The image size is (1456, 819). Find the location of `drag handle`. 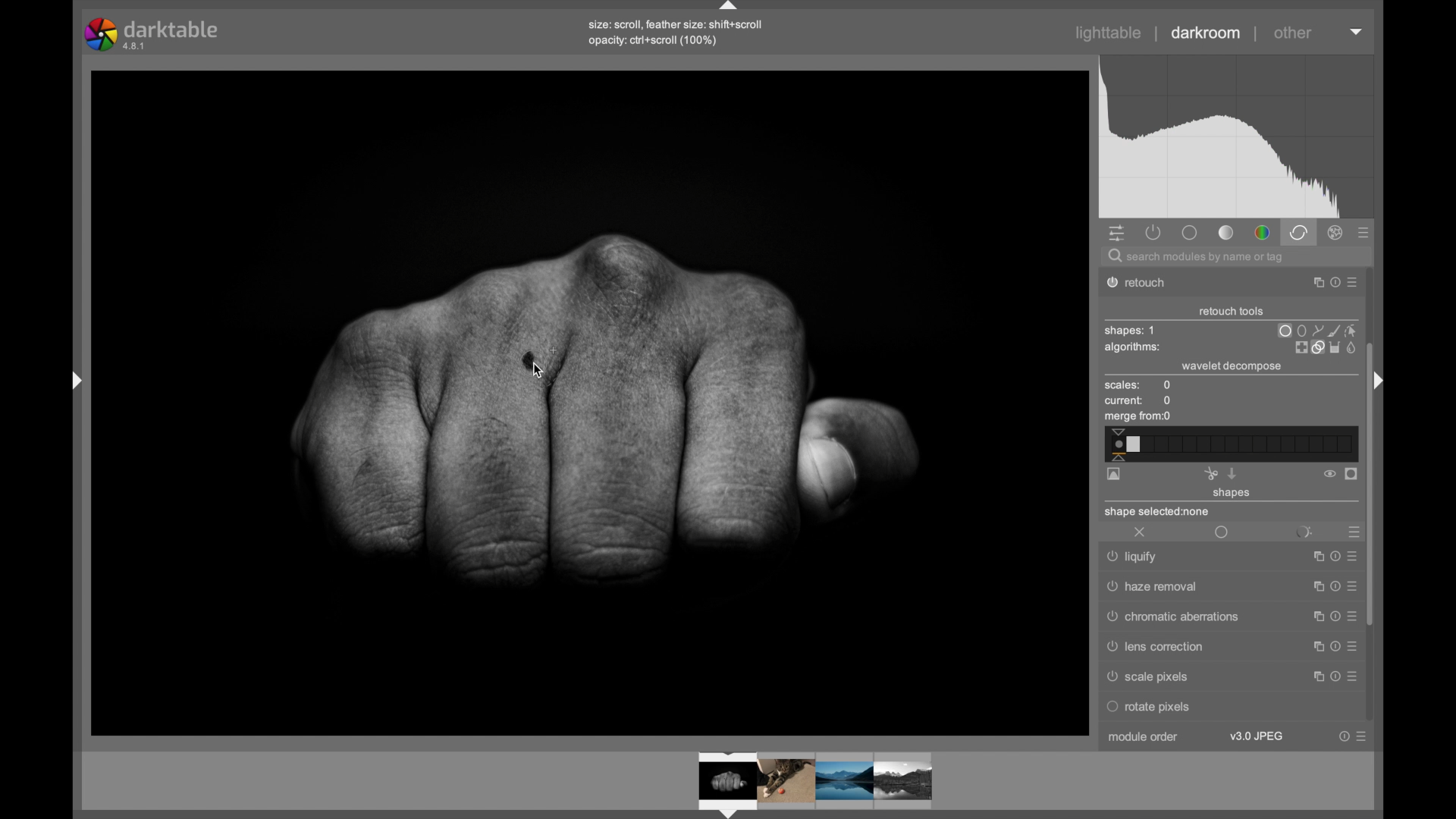

drag handle is located at coordinates (77, 375).